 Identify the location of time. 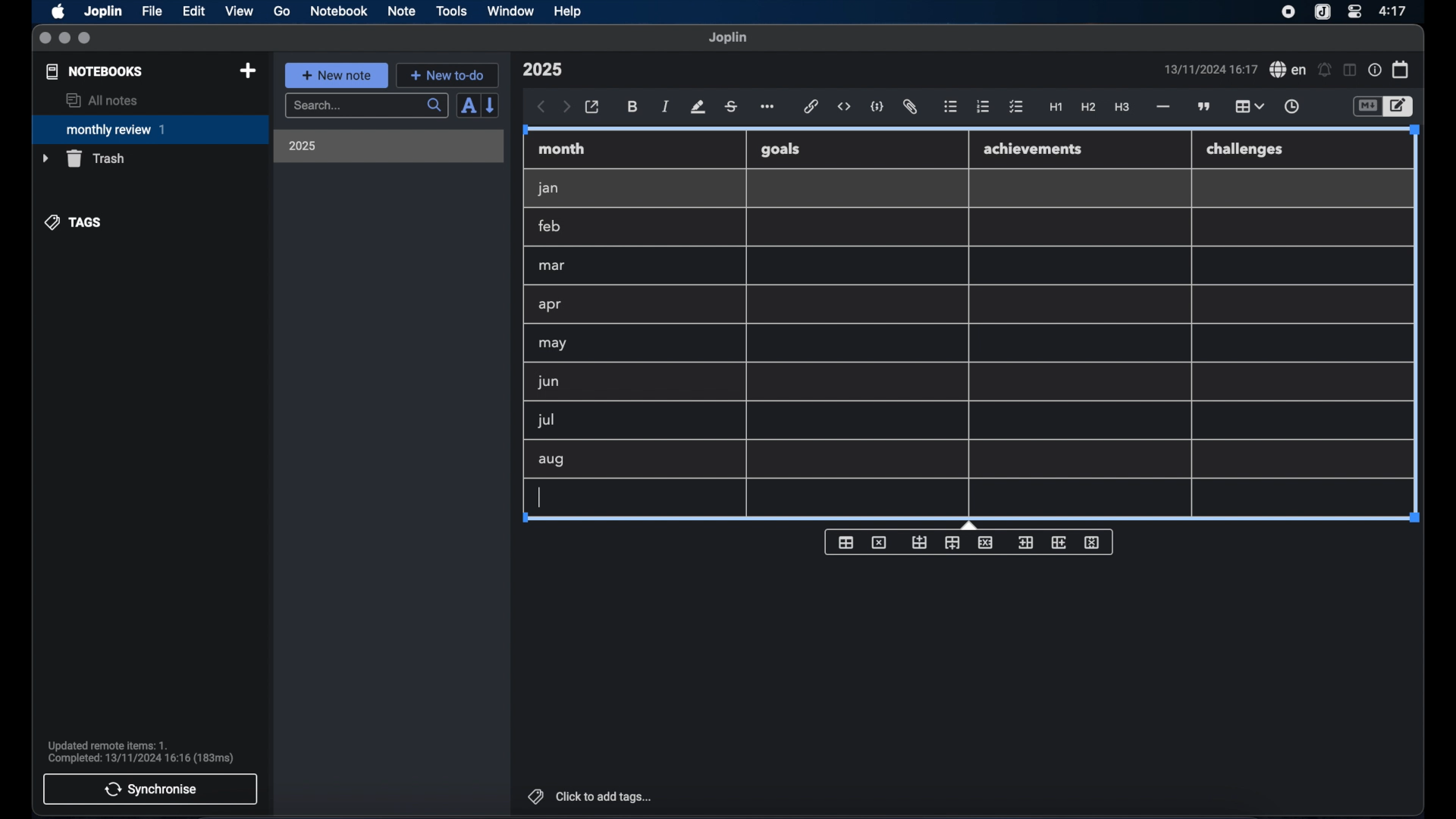
(1395, 11).